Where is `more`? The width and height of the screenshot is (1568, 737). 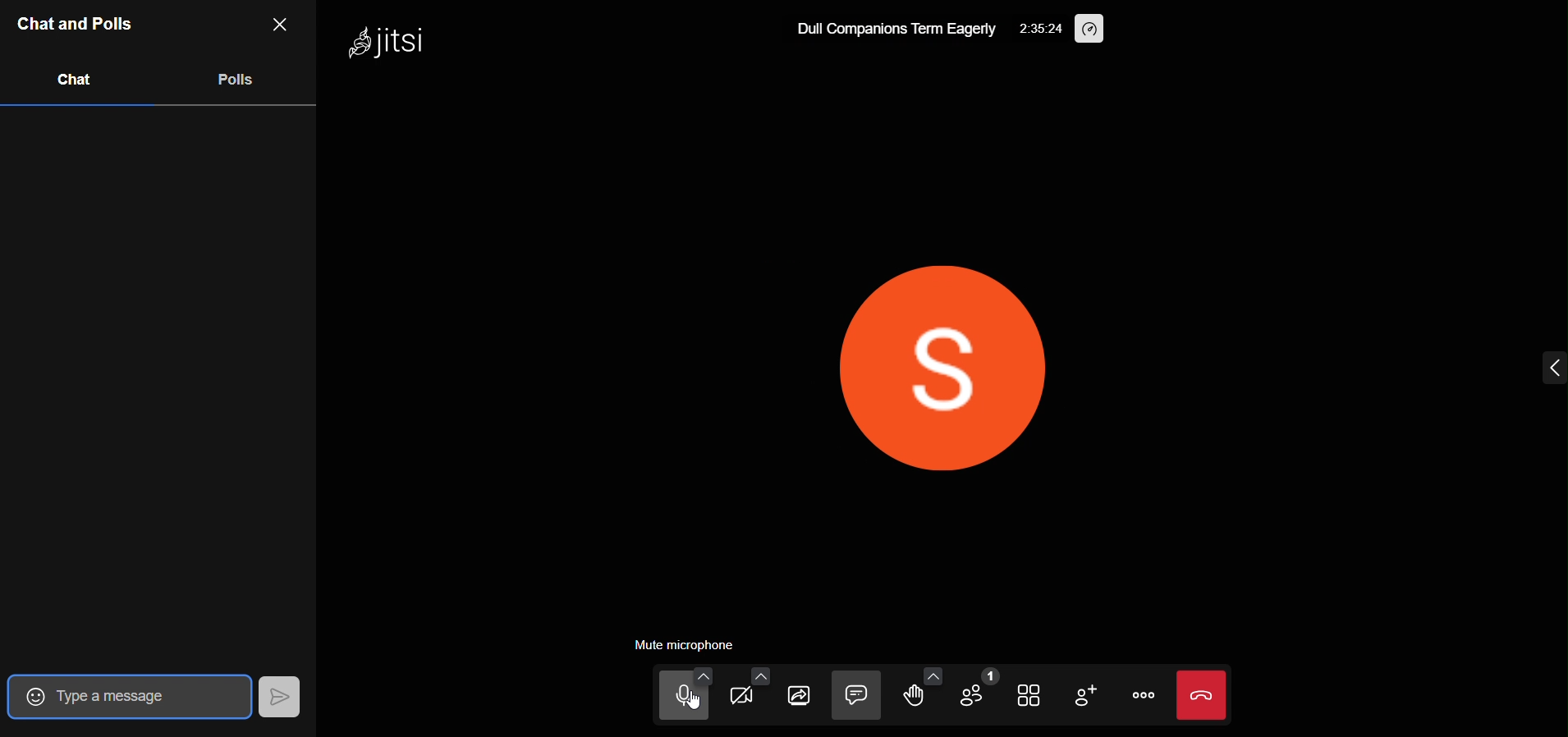
more is located at coordinates (1143, 697).